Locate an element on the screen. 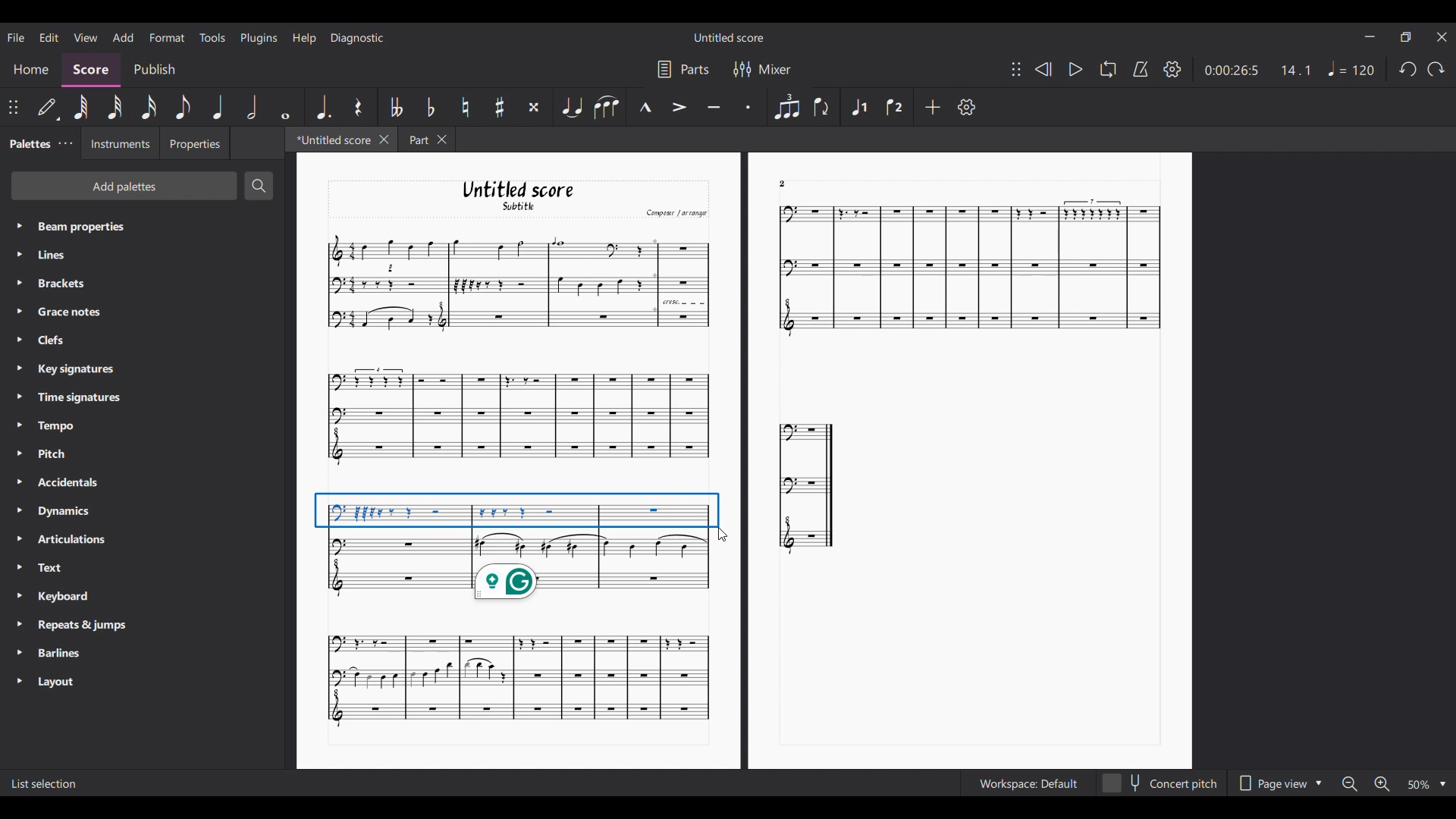  > Beam properties is located at coordinates (72, 226).